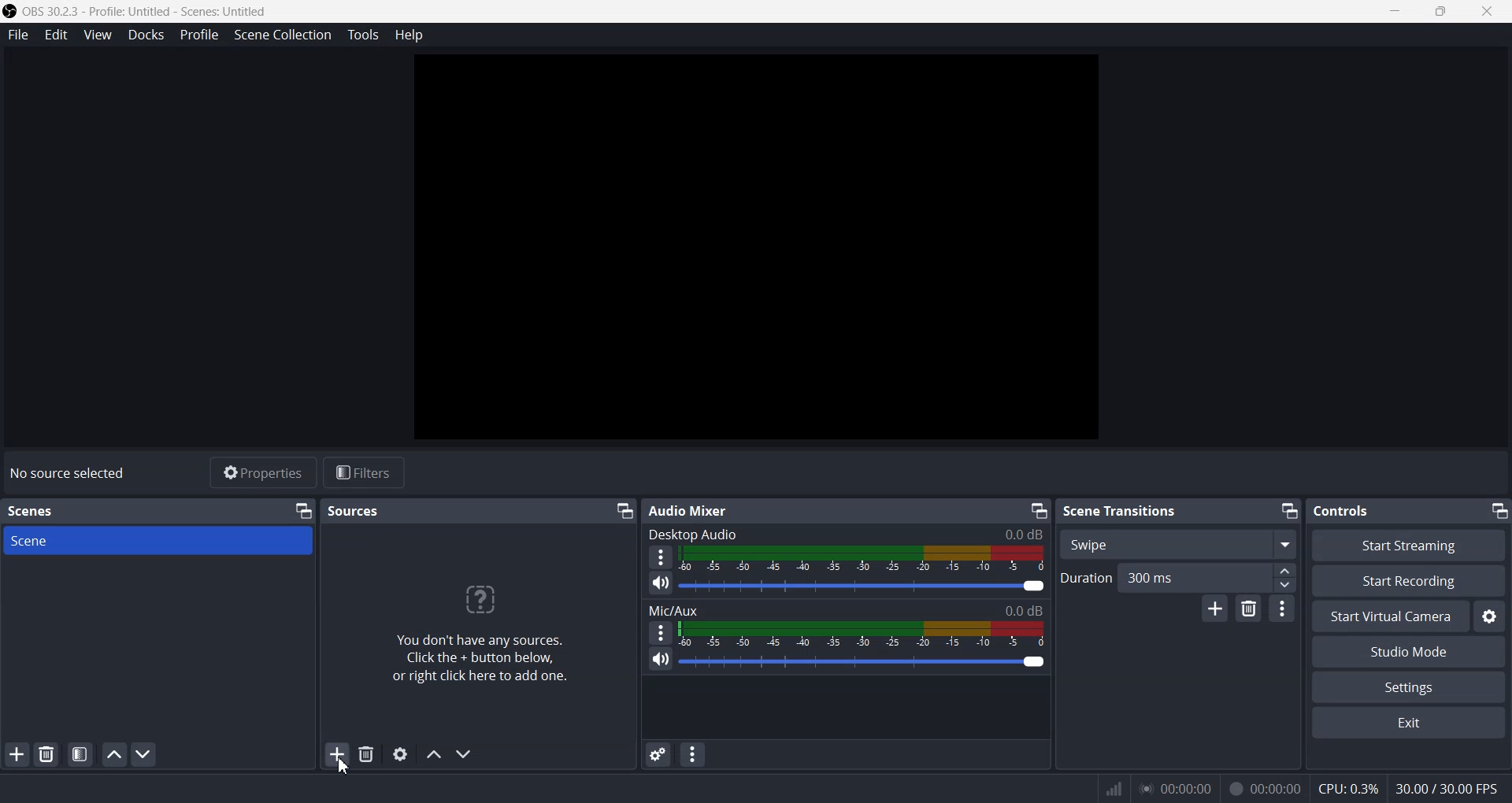 Image resolution: width=1512 pixels, height=803 pixels. Describe the element at coordinates (693, 754) in the screenshot. I see `Audio Mixer menu` at that location.